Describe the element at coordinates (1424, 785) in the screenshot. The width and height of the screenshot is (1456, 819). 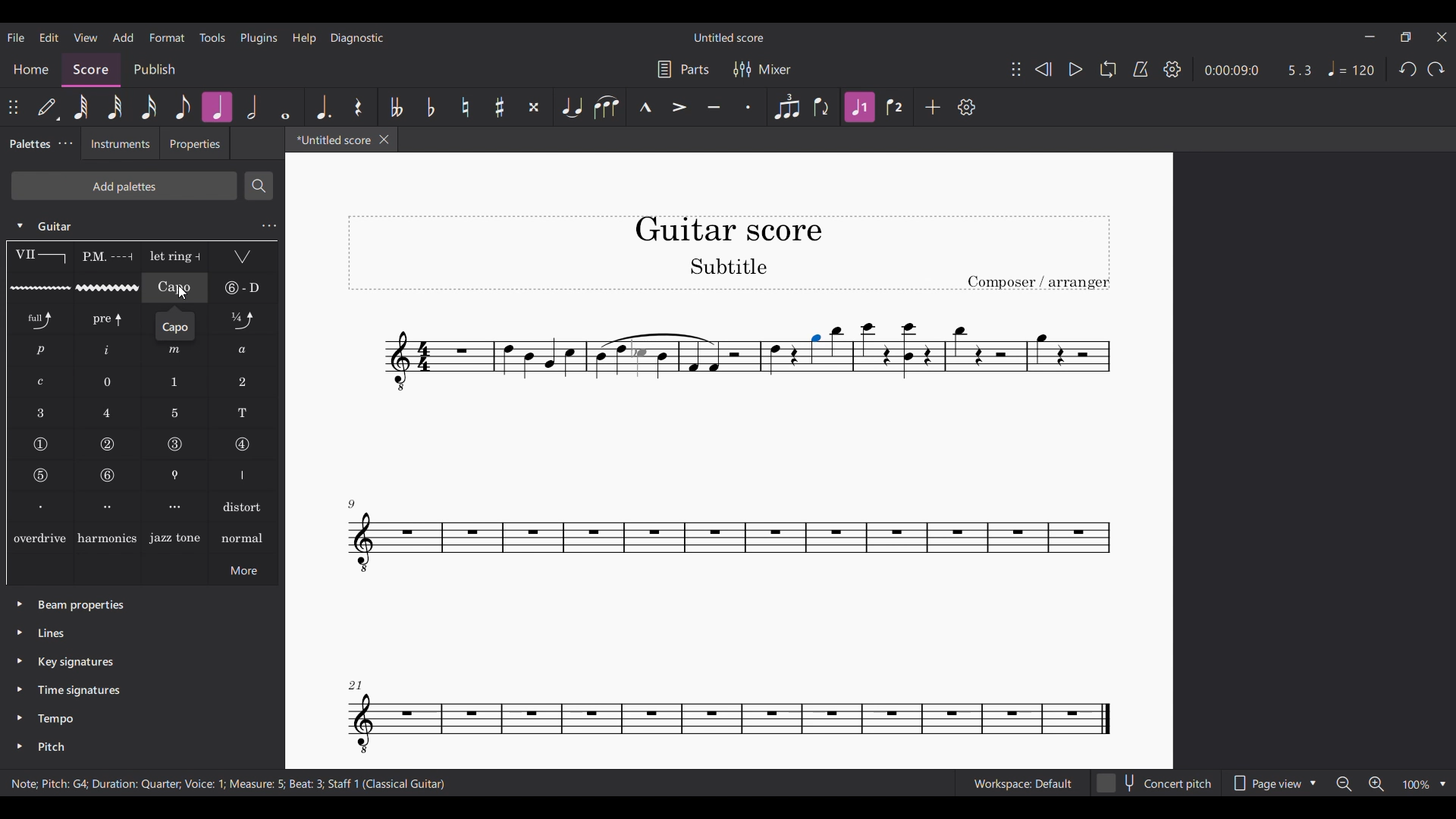
I see `Zoom options` at that location.